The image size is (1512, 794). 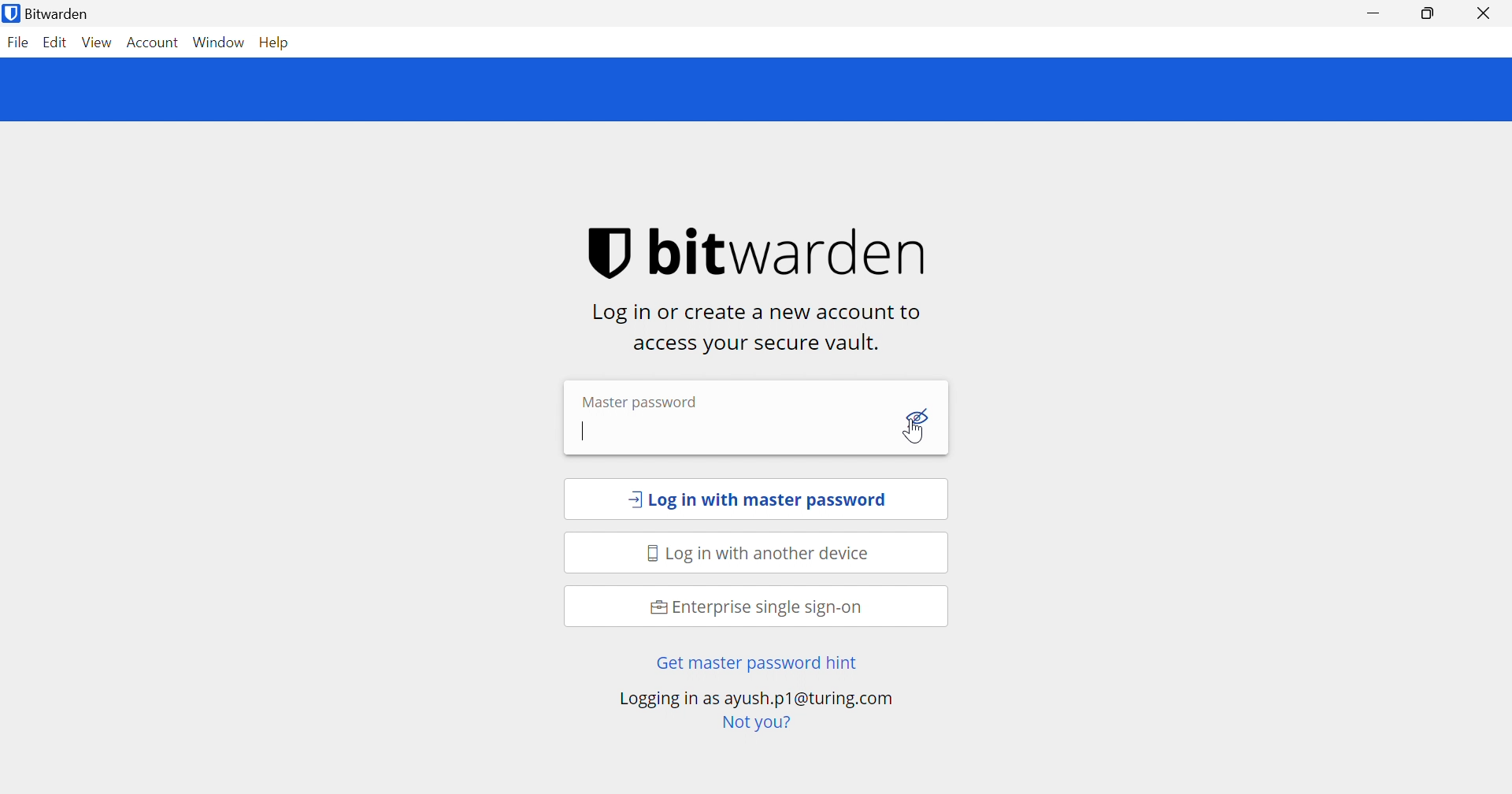 What do you see at coordinates (909, 436) in the screenshot?
I see `Cursor` at bounding box center [909, 436].